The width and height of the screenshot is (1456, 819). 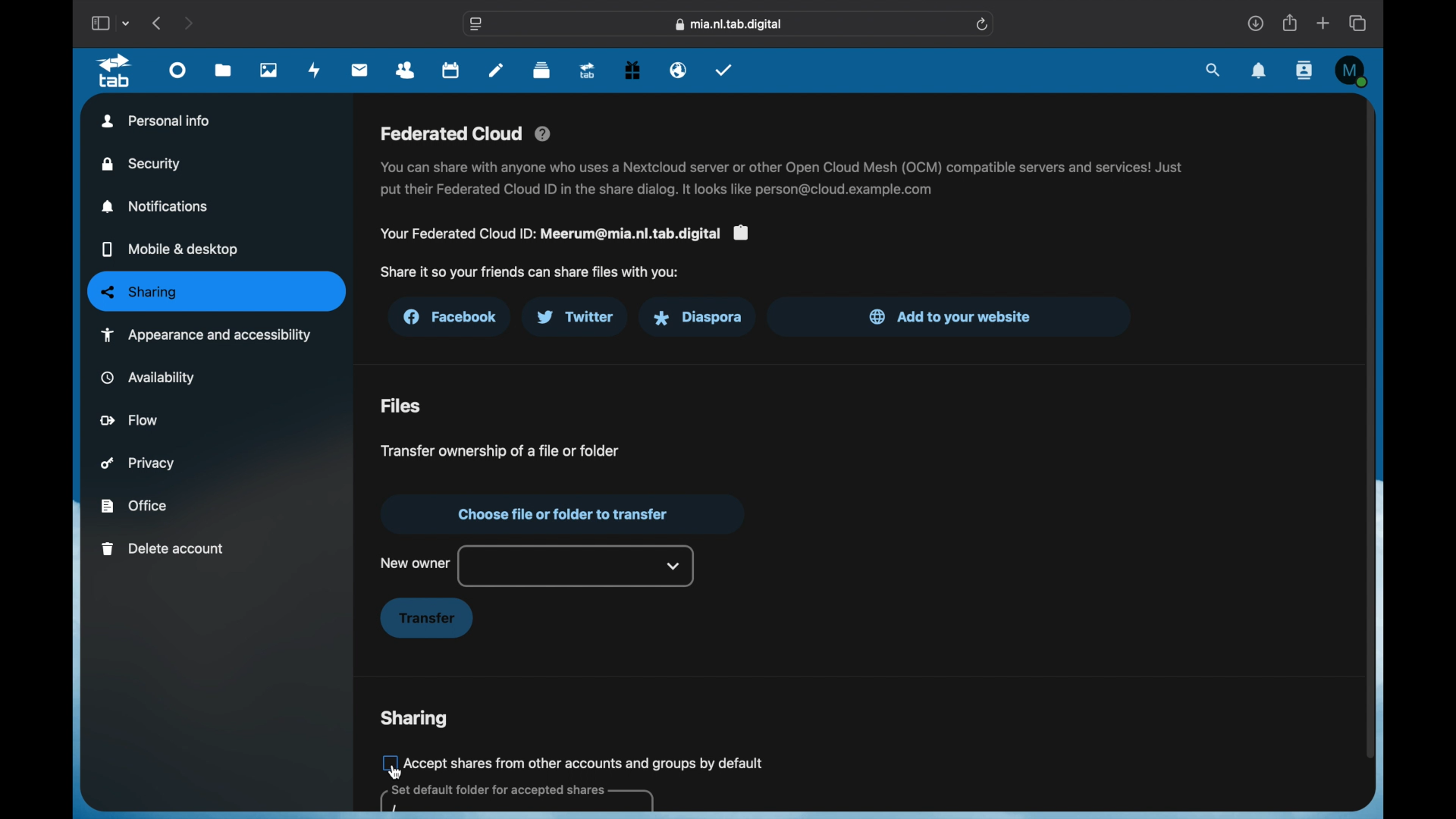 I want to click on M, so click(x=1351, y=71).